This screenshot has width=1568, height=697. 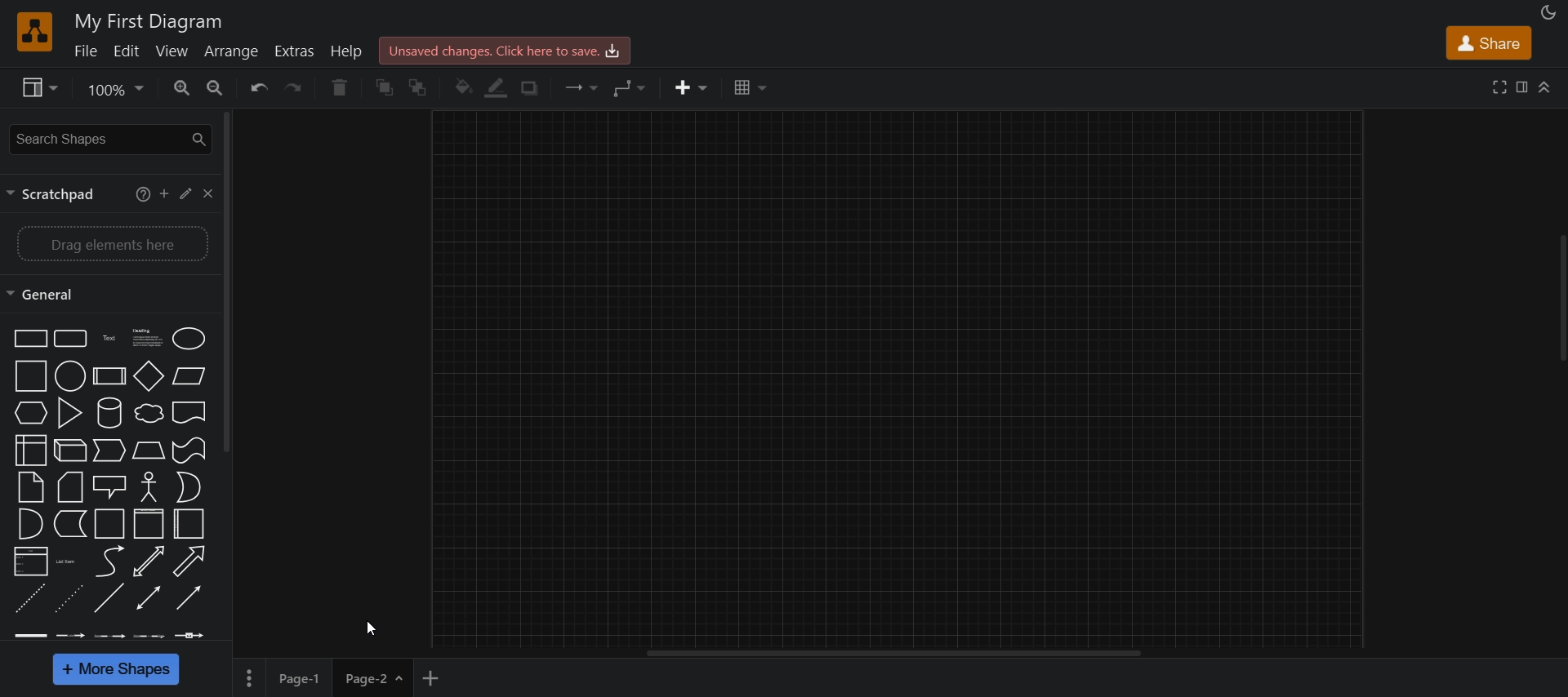 I want to click on zoom in, so click(x=180, y=89).